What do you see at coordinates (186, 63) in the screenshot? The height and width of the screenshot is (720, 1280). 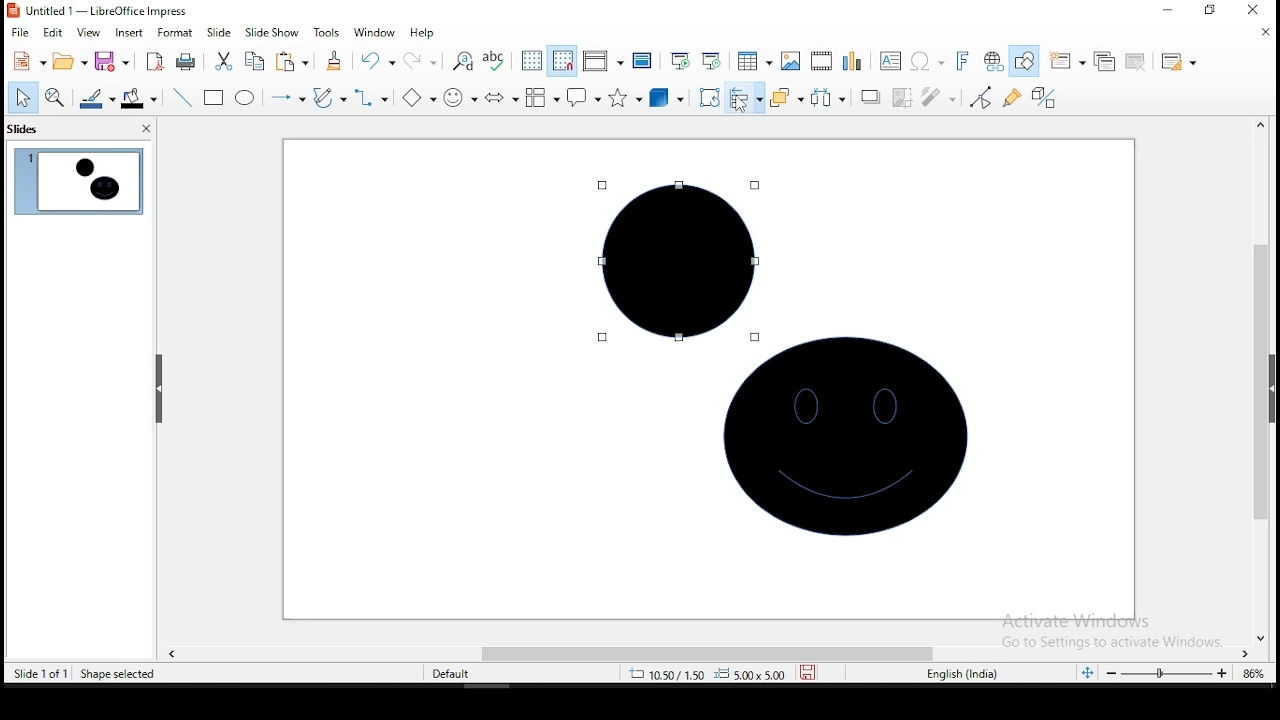 I see `print` at bounding box center [186, 63].